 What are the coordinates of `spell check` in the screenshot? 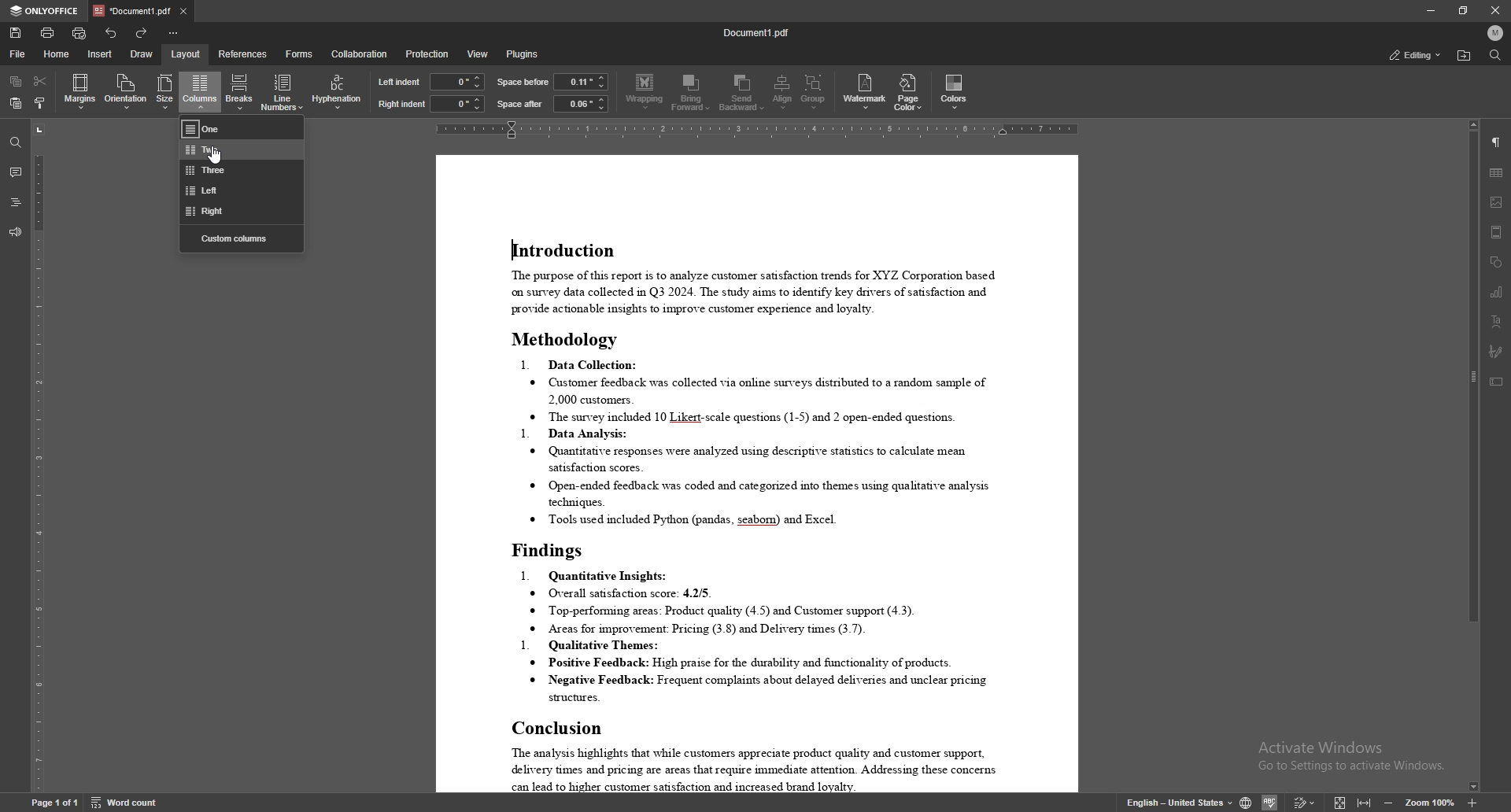 It's located at (1272, 802).